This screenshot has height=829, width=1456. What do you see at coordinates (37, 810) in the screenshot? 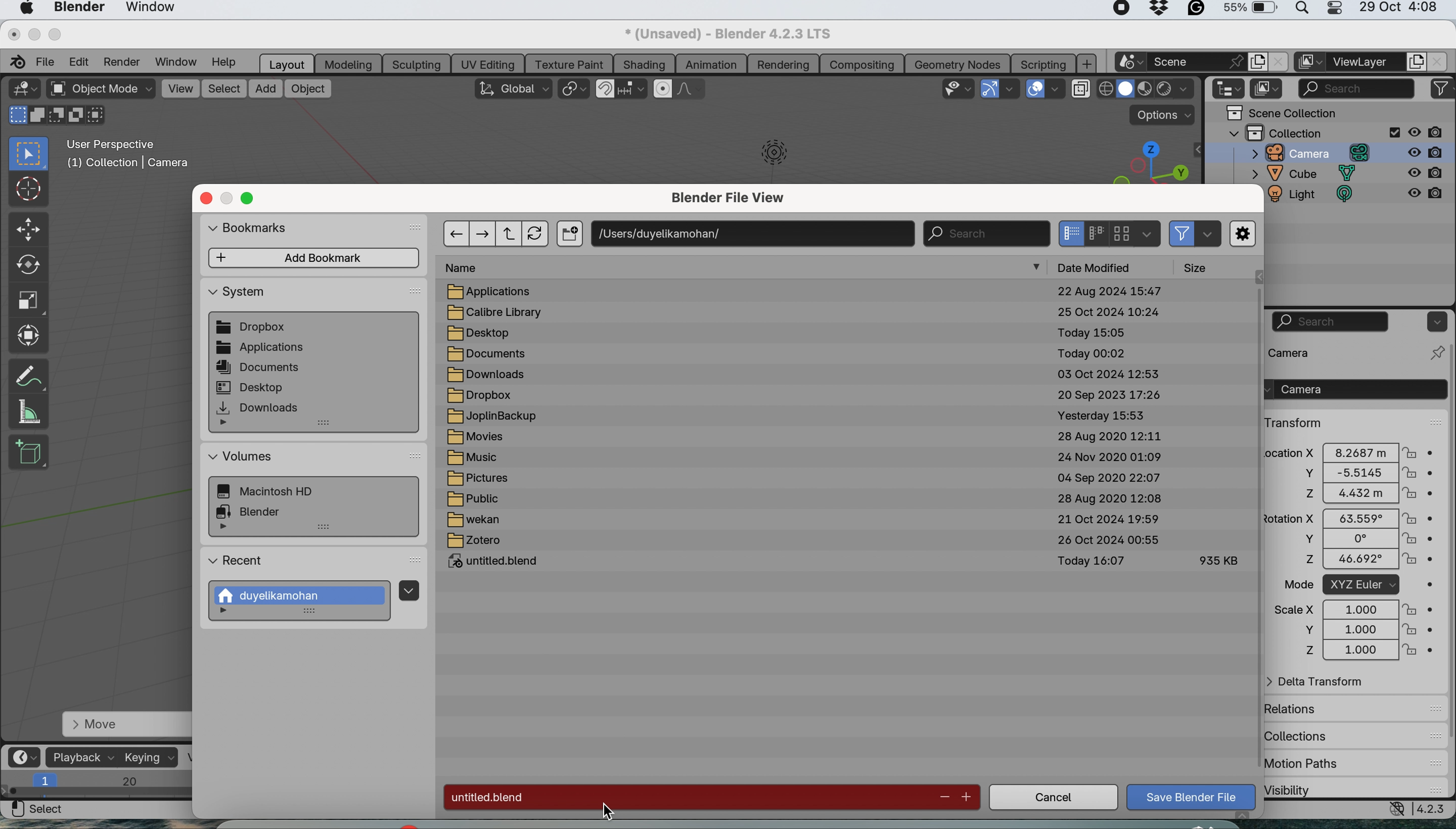
I see `select` at bounding box center [37, 810].